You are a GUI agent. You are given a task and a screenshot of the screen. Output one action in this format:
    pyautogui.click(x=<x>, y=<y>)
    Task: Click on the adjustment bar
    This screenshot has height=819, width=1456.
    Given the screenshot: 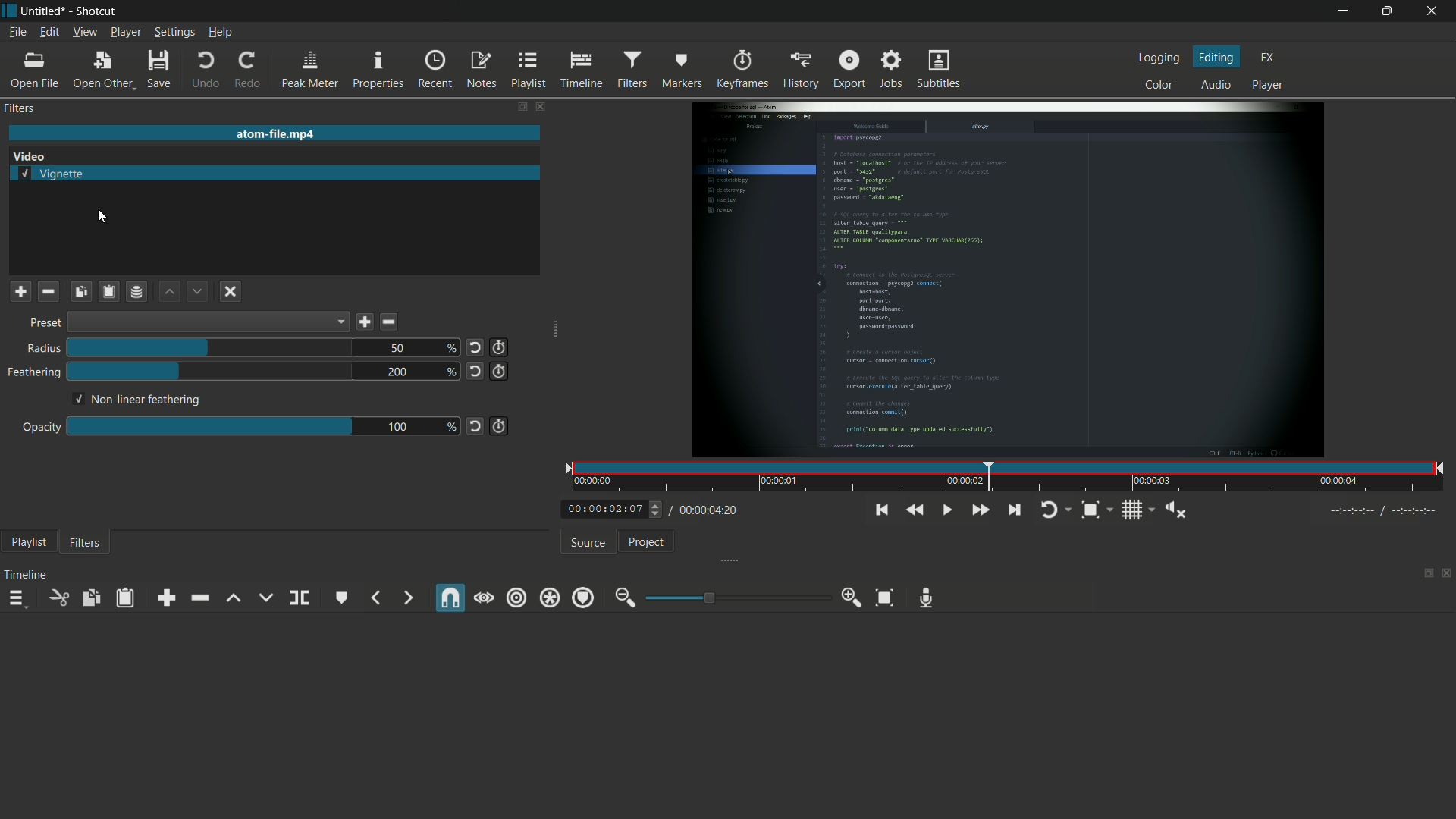 What is the action you would take?
    pyautogui.click(x=735, y=597)
    